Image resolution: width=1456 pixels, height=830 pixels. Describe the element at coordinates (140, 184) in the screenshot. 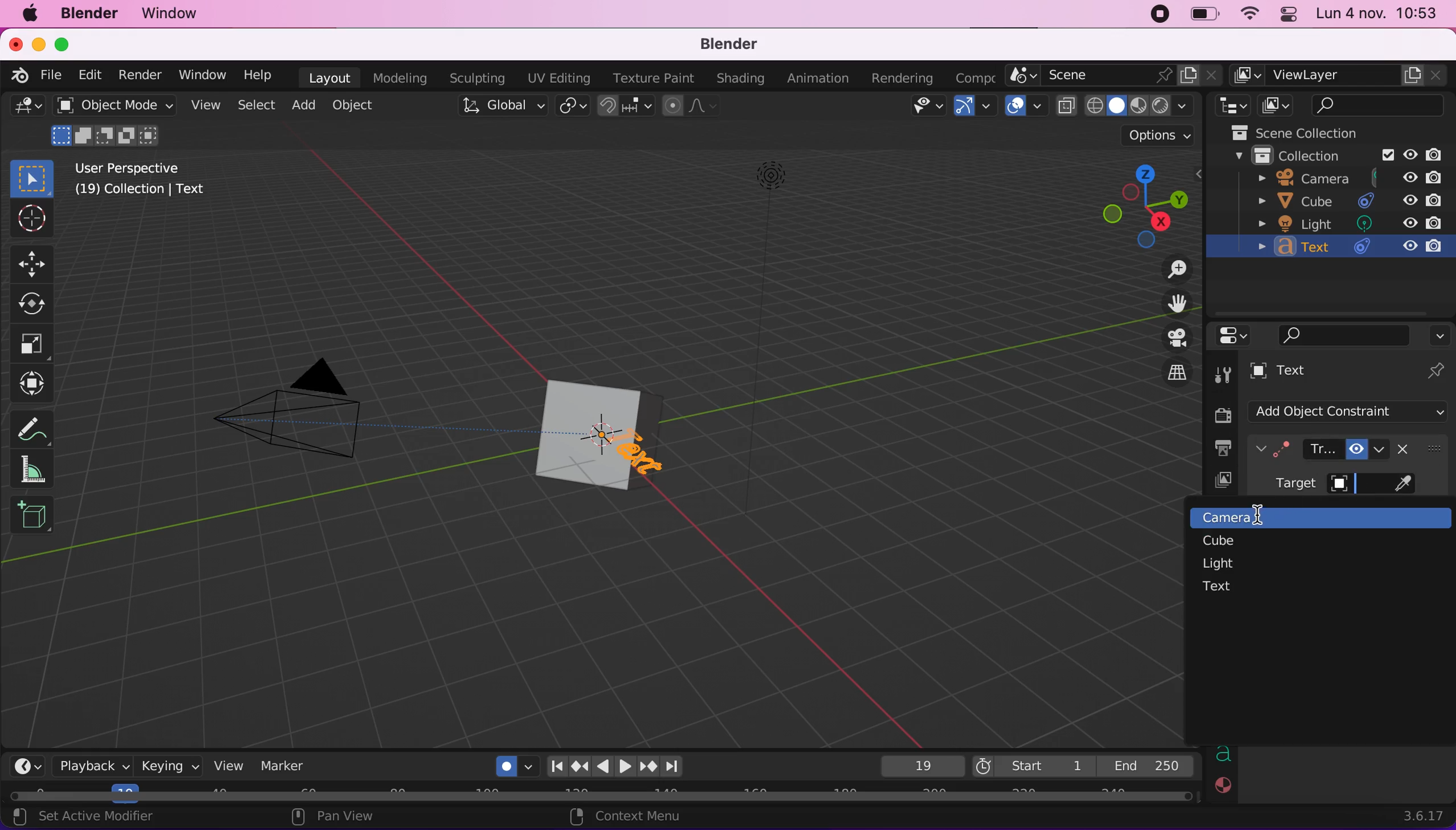

I see `user perspective (19) collection | text` at that location.